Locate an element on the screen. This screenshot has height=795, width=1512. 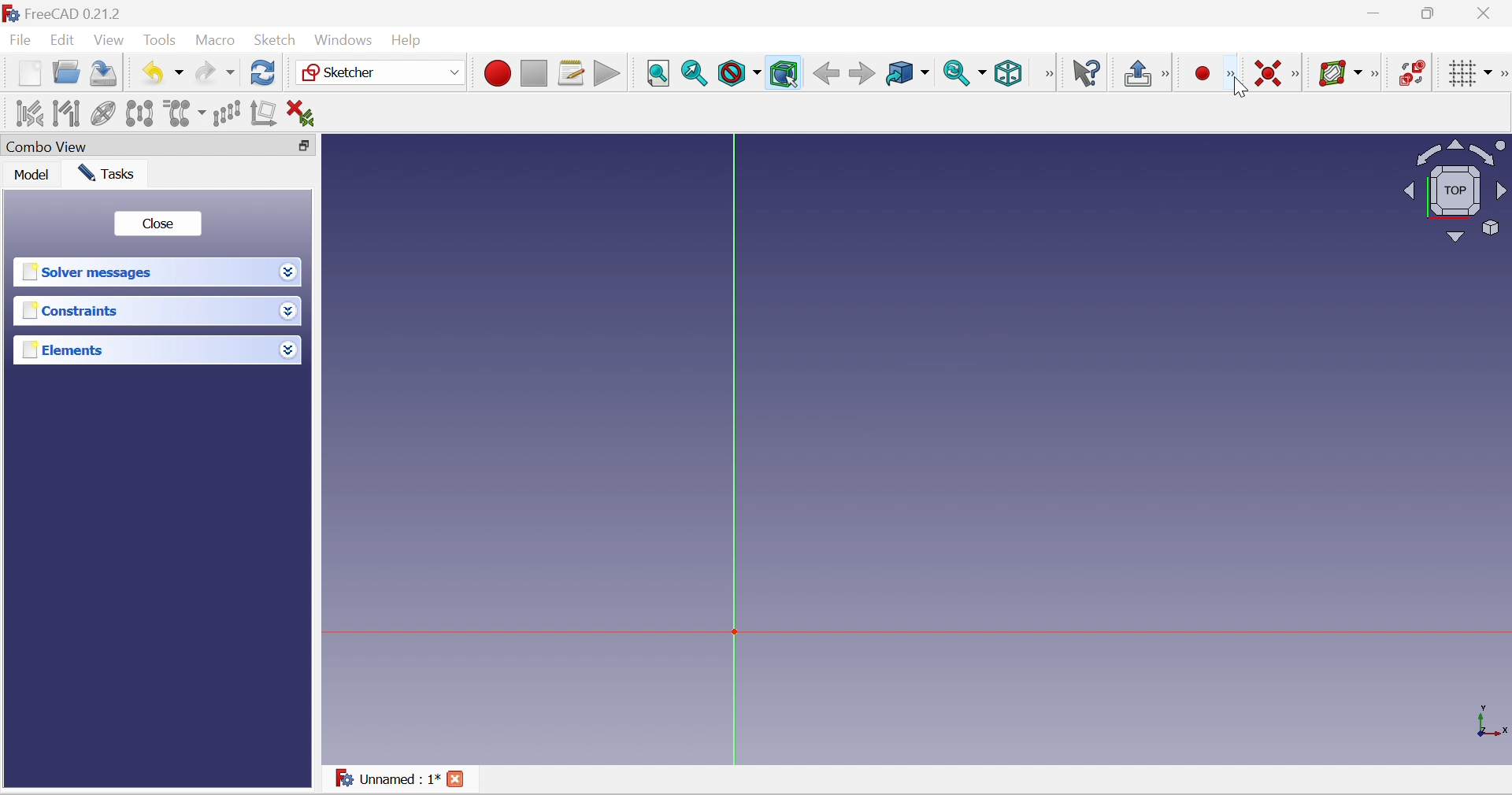
Macros is located at coordinates (572, 74).